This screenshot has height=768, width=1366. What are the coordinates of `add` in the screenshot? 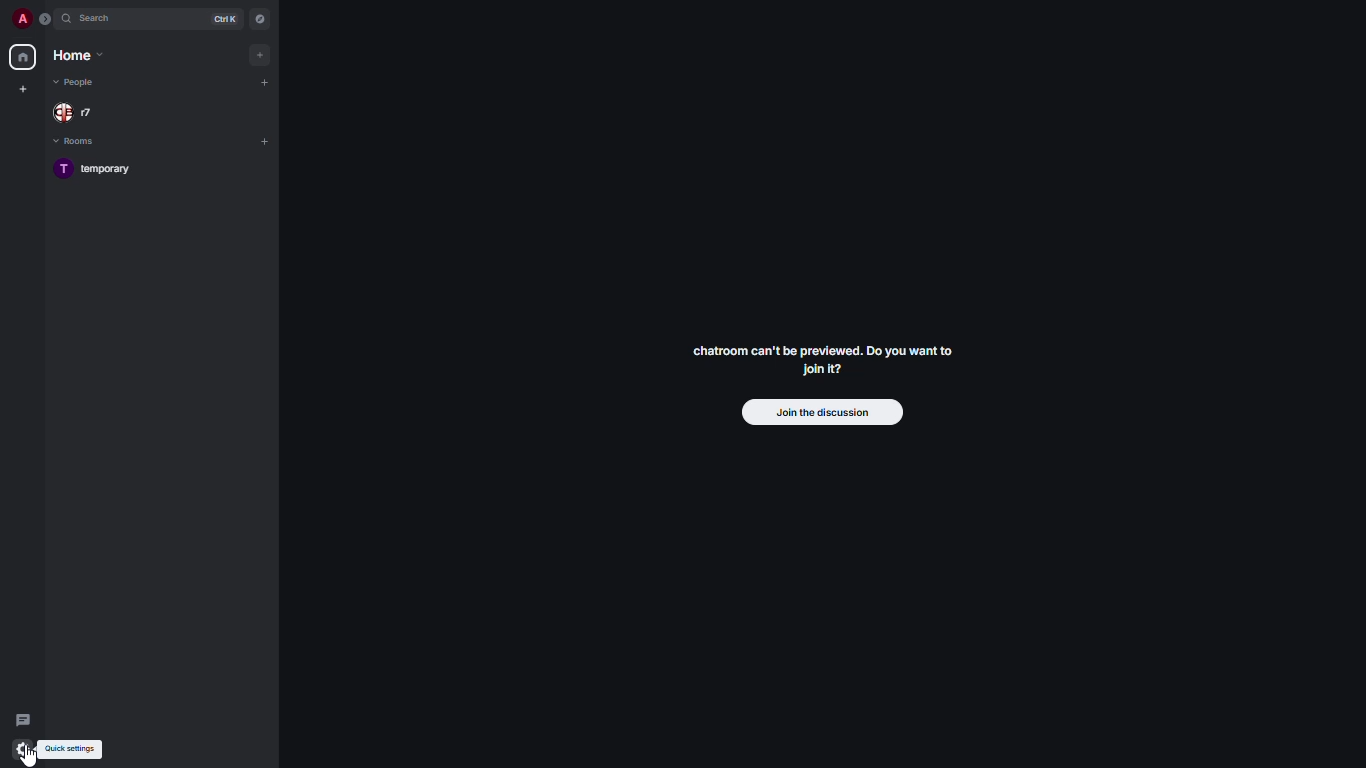 It's located at (258, 55).